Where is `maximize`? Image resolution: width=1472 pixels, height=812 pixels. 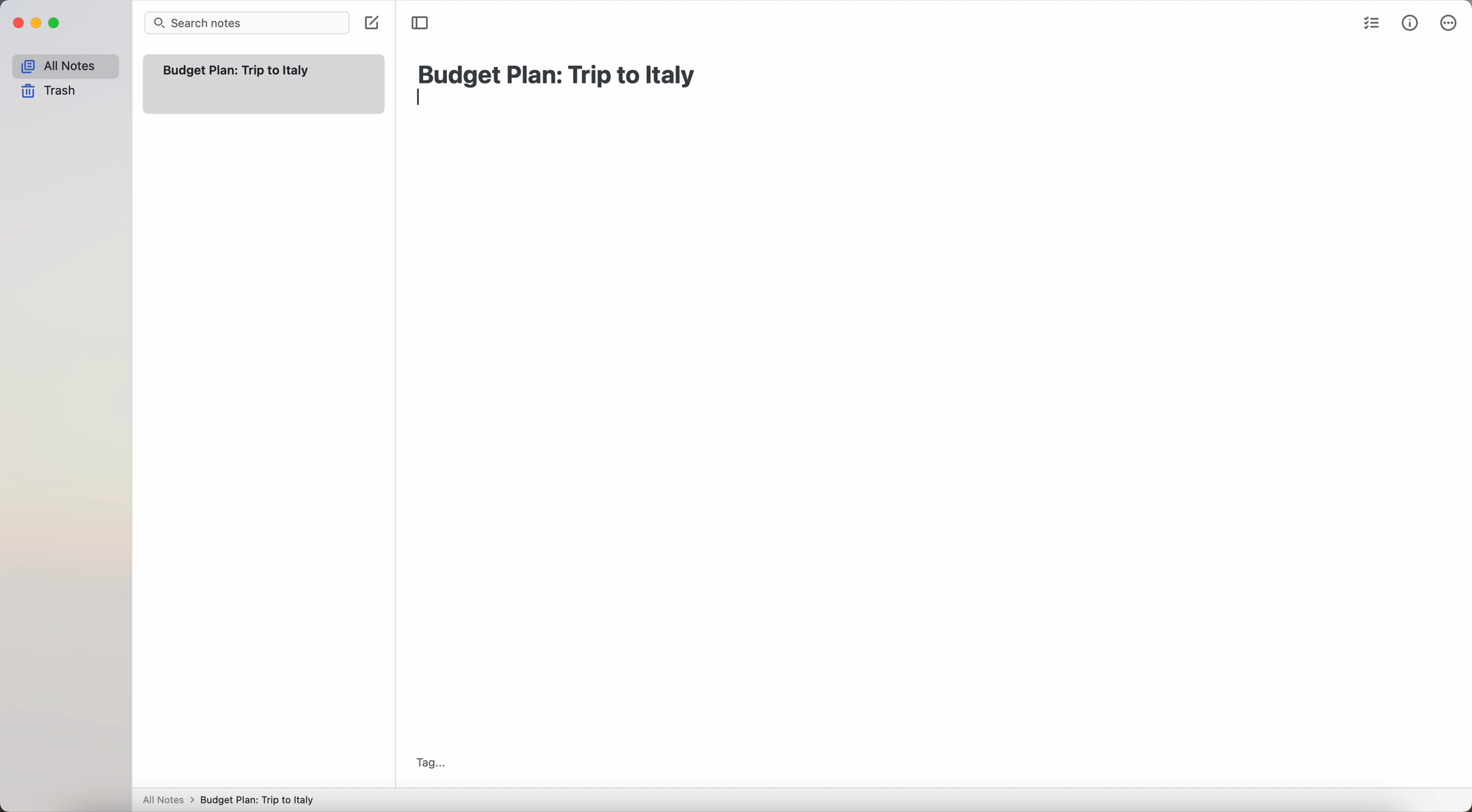 maximize is located at coordinates (57, 23).